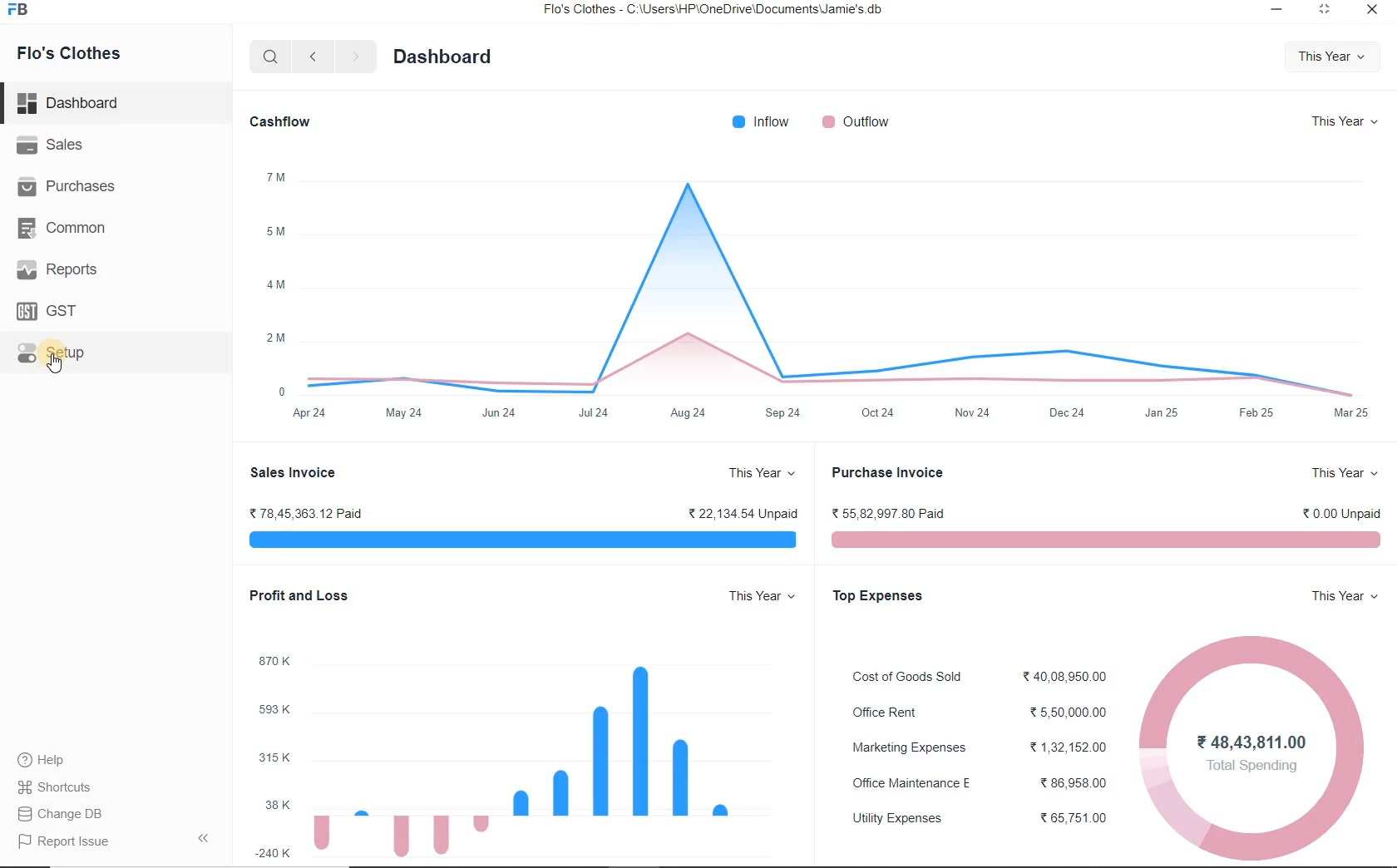 The width and height of the screenshot is (1397, 868). I want to click on Sales Invoice, so click(289, 473).